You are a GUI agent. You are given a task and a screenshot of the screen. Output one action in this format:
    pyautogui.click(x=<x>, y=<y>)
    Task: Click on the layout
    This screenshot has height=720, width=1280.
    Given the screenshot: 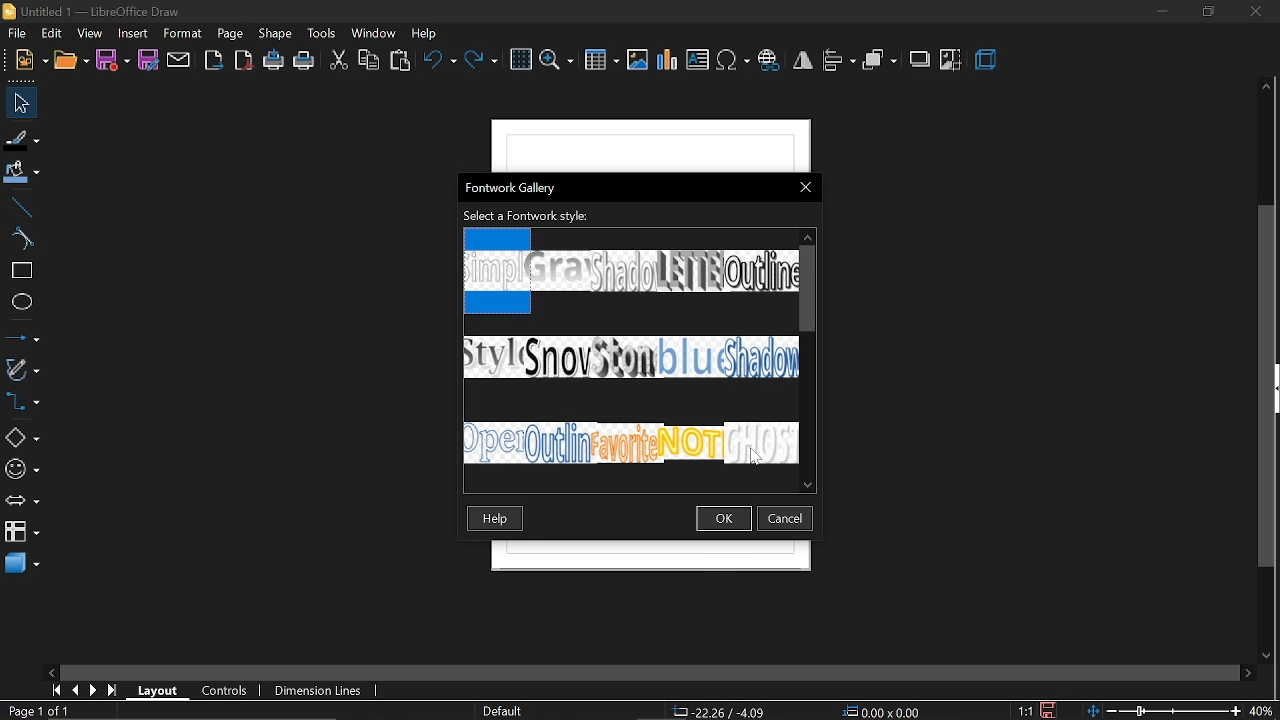 What is the action you would take?
    pyautogui.click(x=156, y=690)
    